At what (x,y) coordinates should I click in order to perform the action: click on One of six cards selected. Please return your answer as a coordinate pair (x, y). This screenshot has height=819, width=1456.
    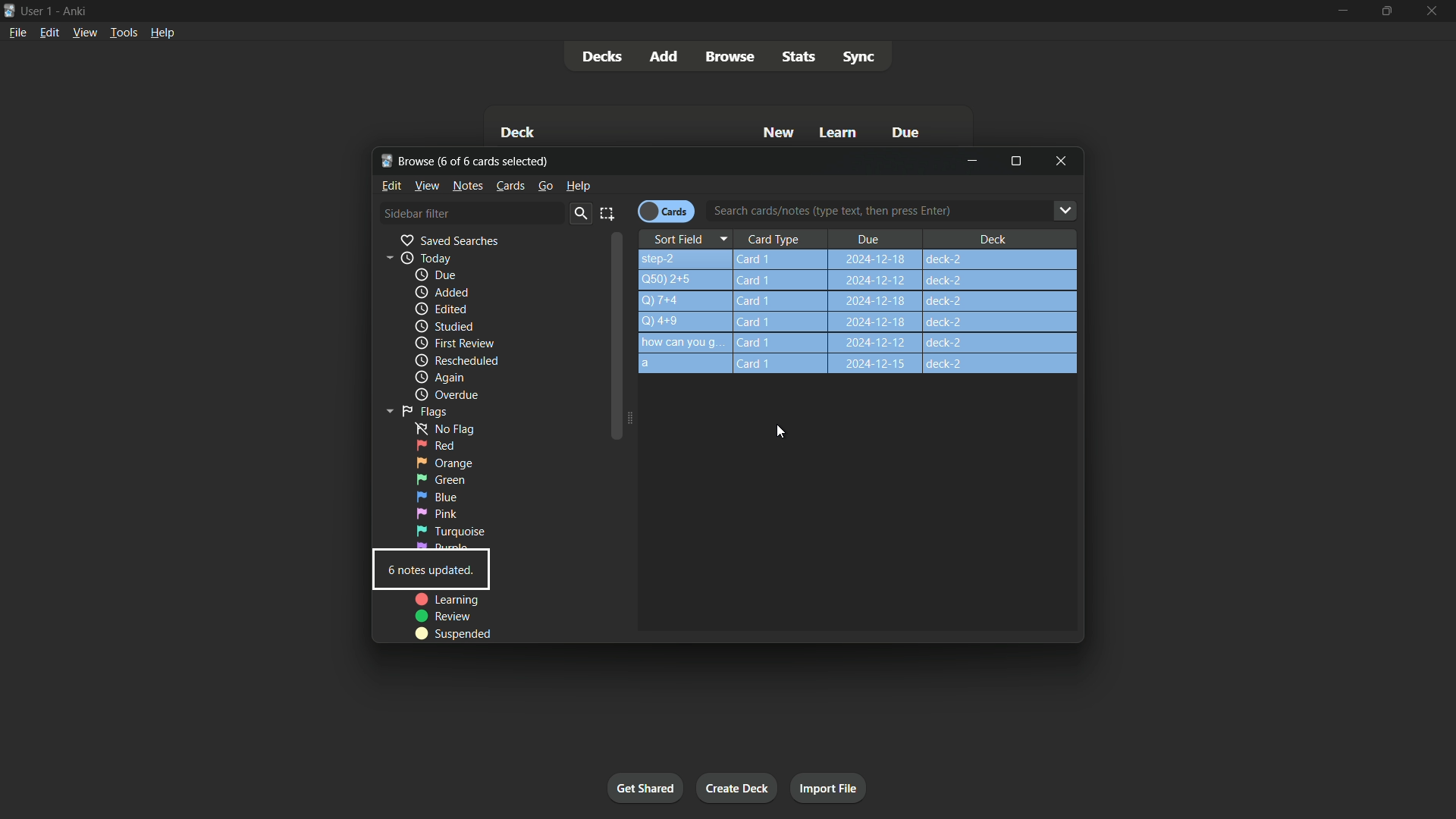
    Looking at the image, I should click on (499, 162).